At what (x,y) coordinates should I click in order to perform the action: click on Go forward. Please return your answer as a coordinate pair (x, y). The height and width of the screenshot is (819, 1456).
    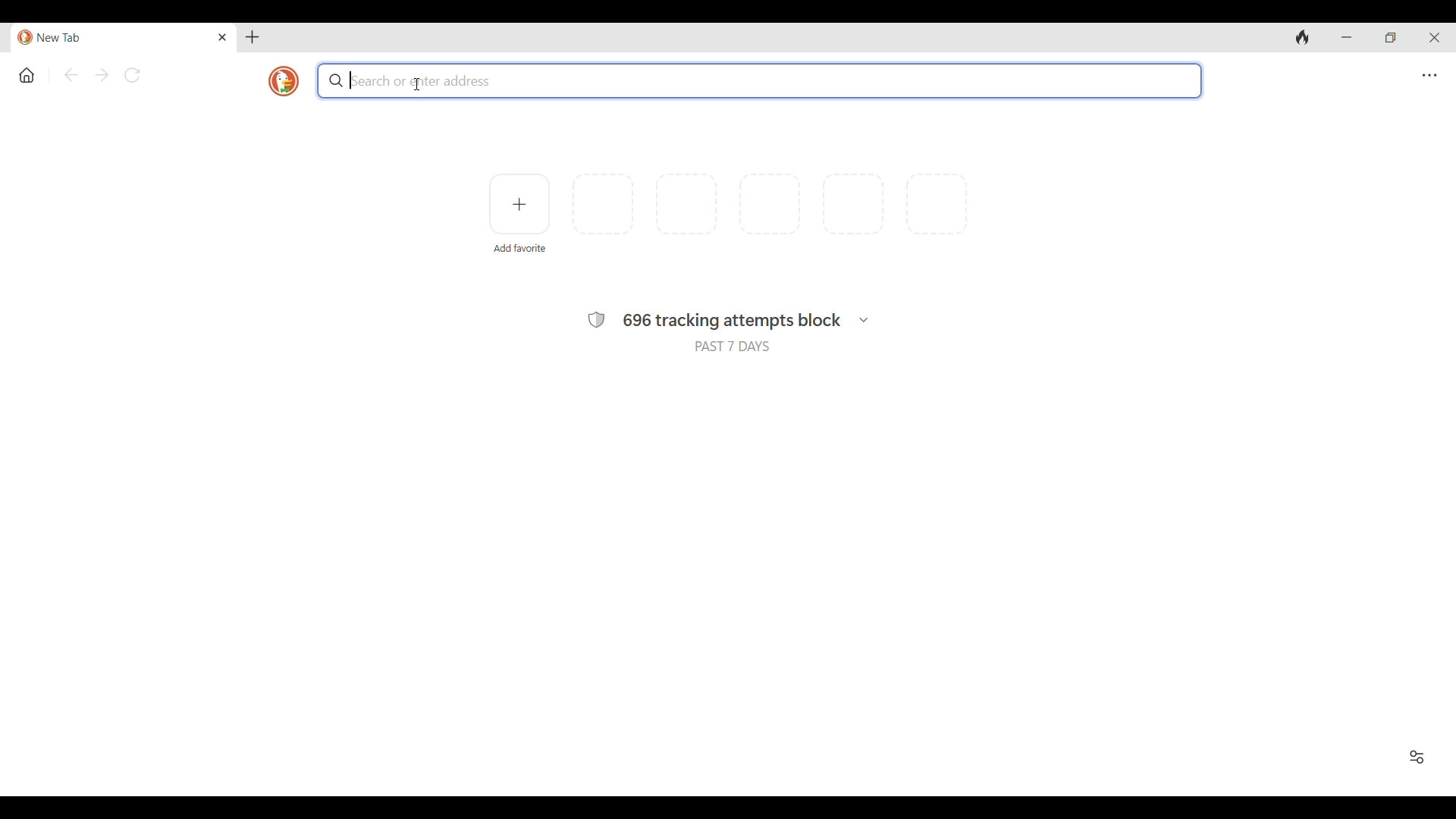
    Looking at the image, I should click on (102, 75).